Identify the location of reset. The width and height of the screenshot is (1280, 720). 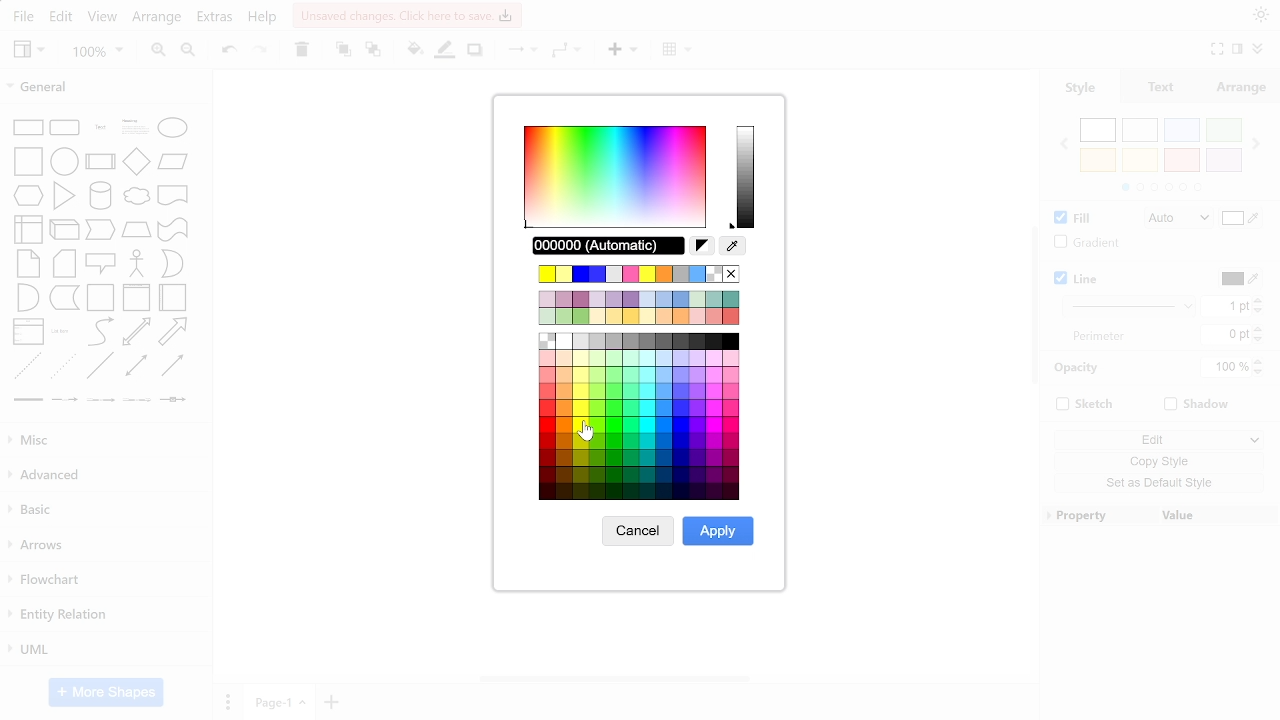
(702, 246).